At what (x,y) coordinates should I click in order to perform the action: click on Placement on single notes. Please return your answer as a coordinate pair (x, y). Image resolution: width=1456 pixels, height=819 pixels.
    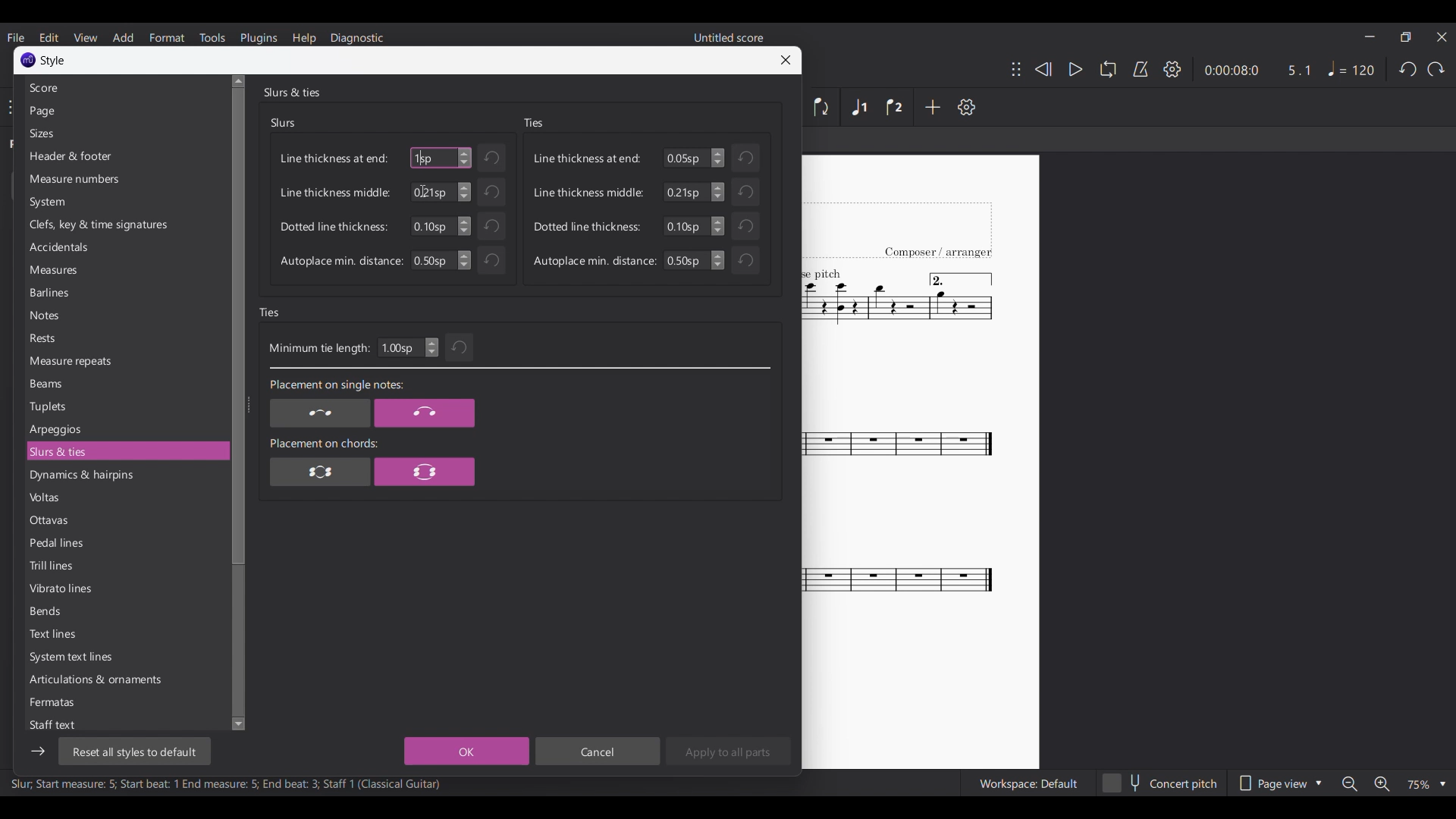
    Looking at the image, I should click on (335, 386).